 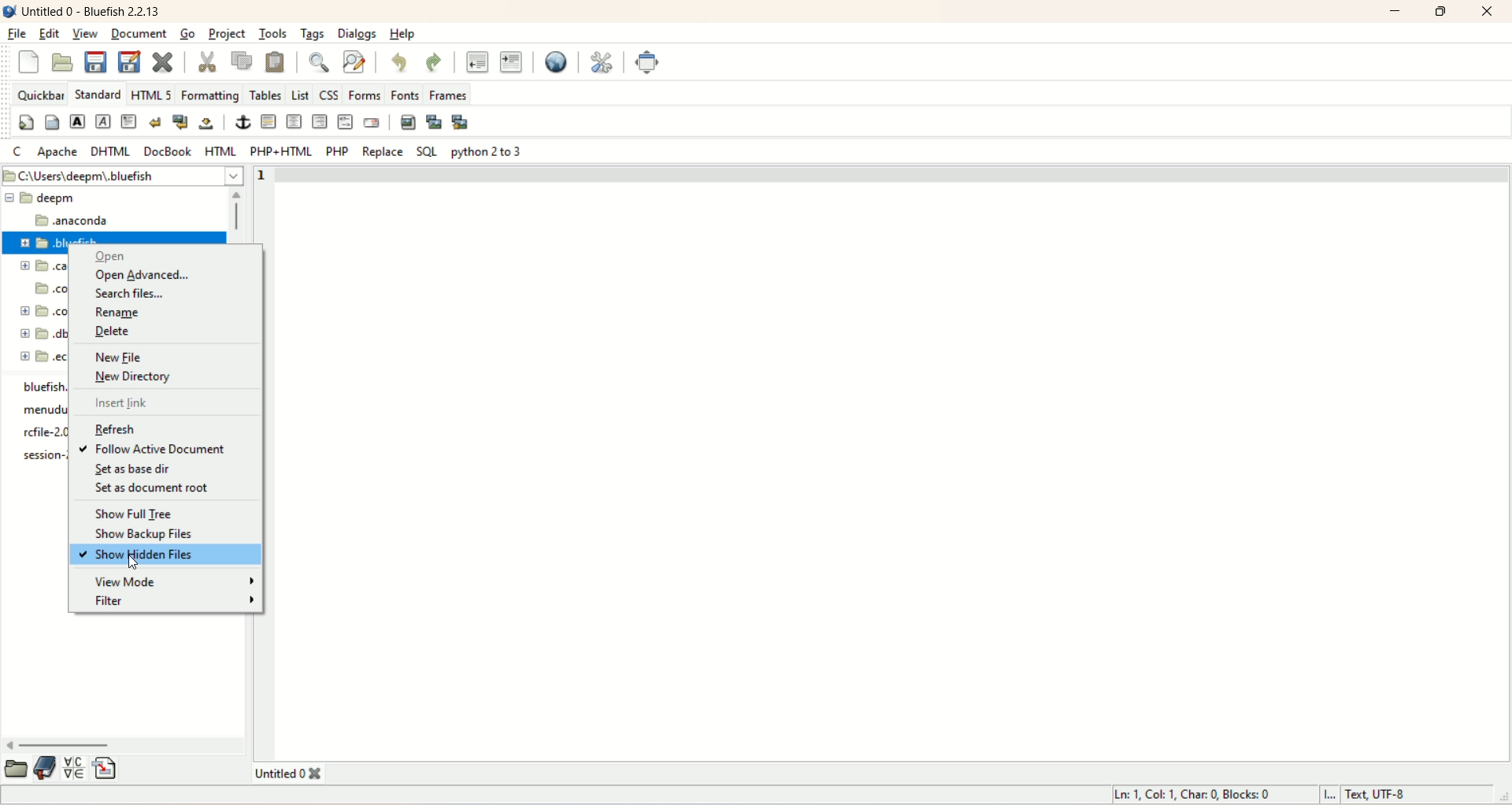 I want to click on PHP+HTML, so click(x=280, y=150).